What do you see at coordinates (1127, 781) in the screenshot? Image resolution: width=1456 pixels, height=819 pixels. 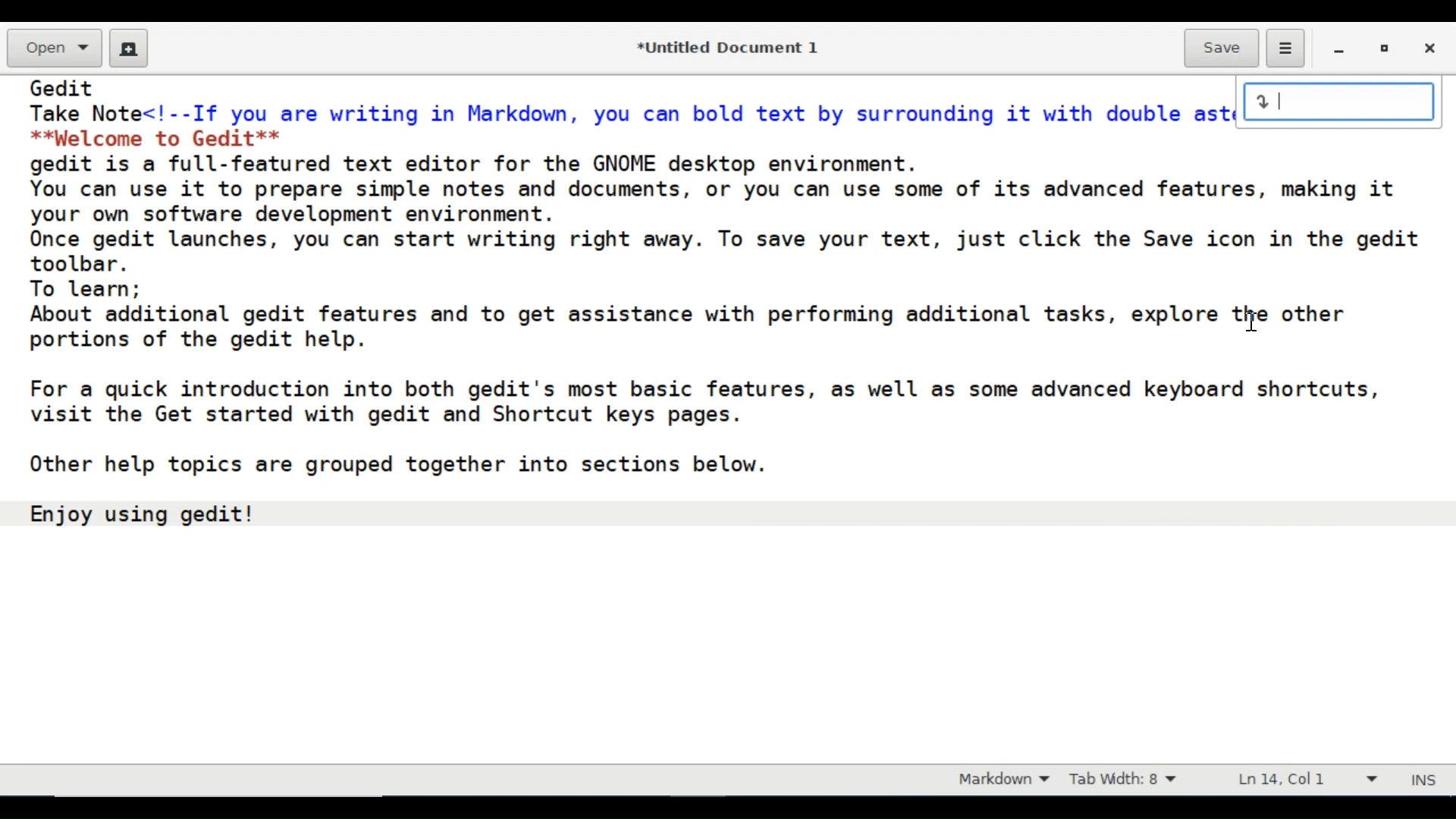 I see `Tab Width` at bounding box center [1127, 781].